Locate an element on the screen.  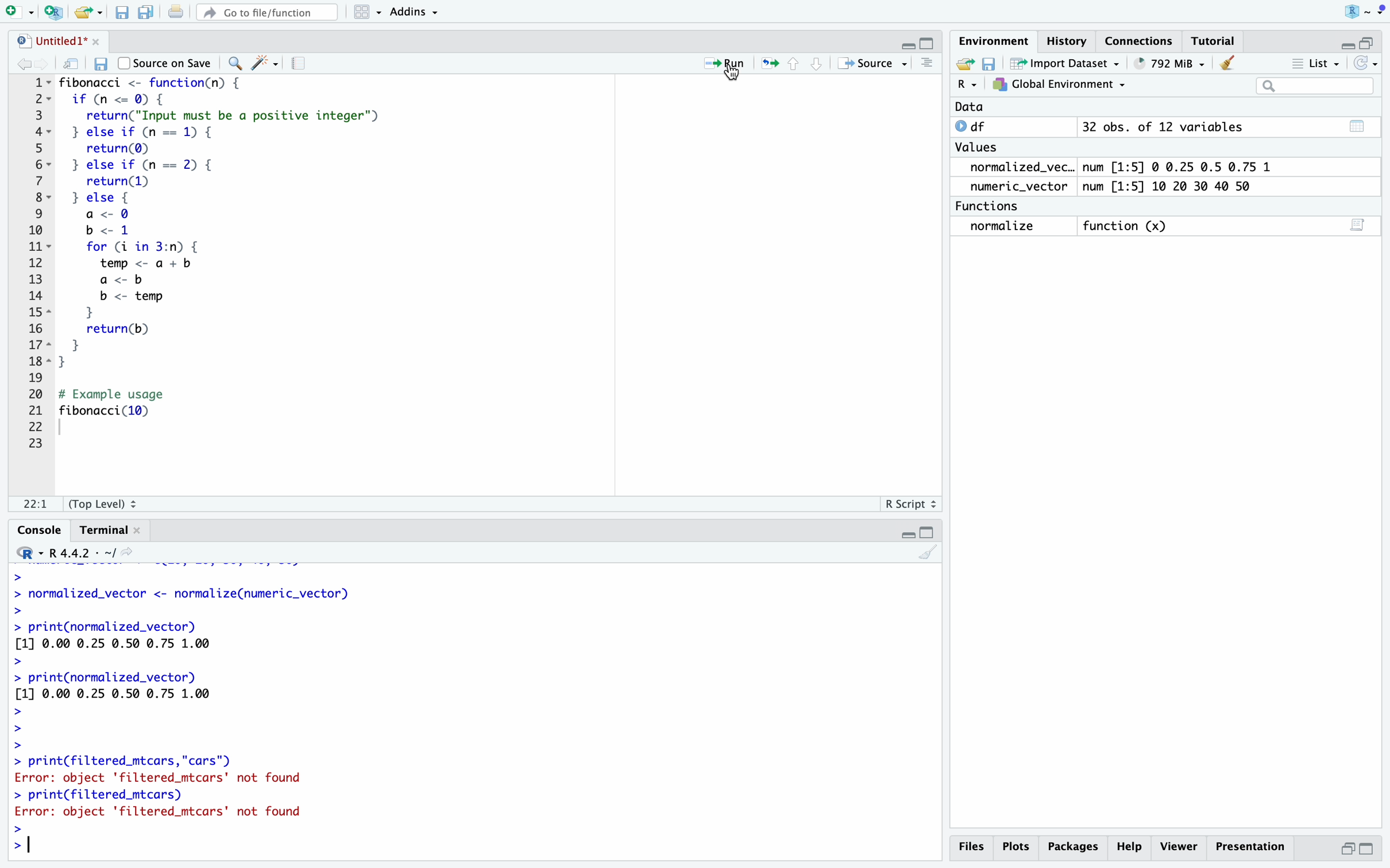
re-run the previous code region is located at coordinates (769, 62).